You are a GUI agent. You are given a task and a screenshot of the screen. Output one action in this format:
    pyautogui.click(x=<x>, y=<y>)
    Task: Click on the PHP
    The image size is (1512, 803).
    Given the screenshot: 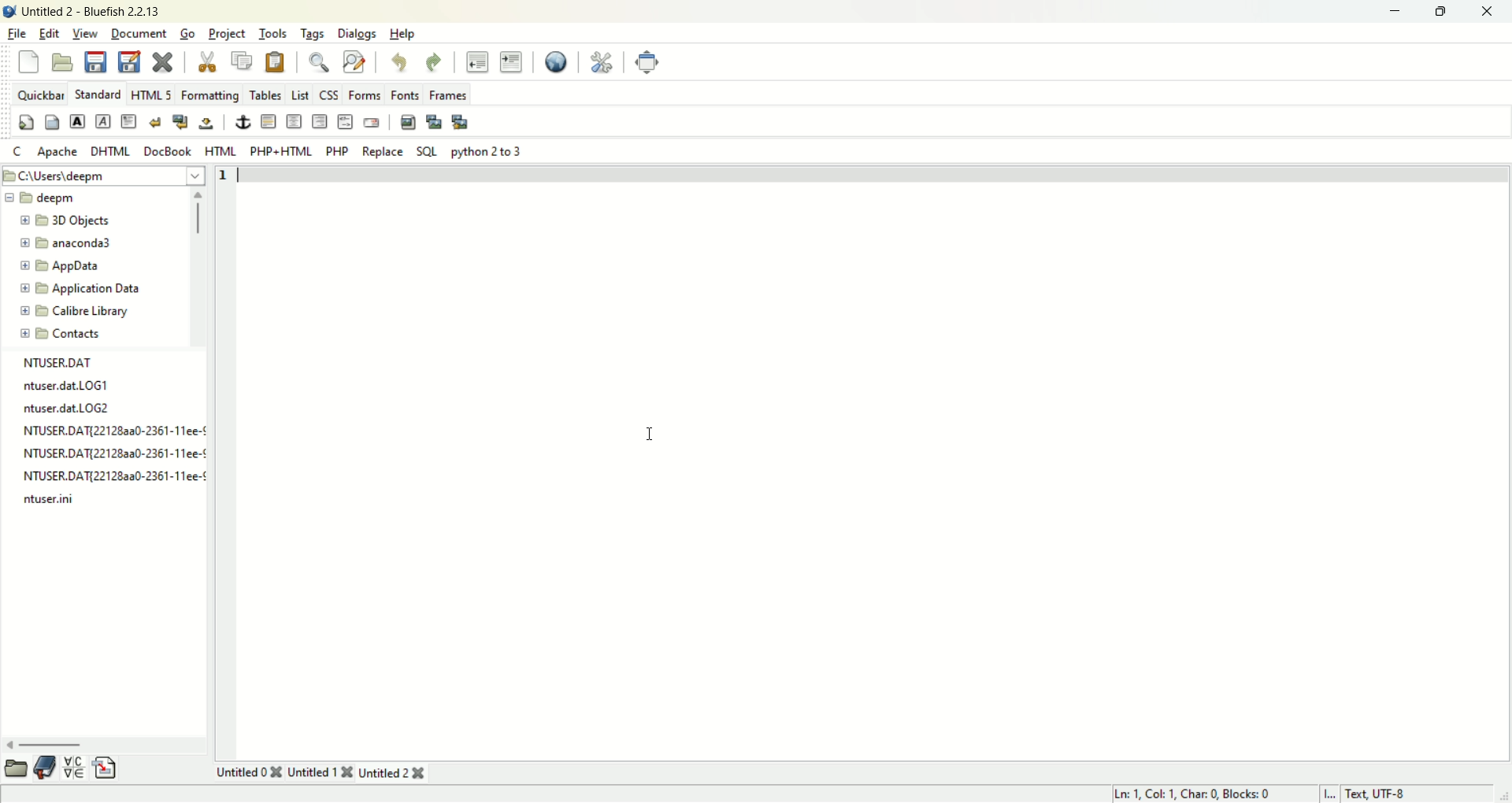 What is the action you would take?
    pyautogui.click(x=337, y=151)
    